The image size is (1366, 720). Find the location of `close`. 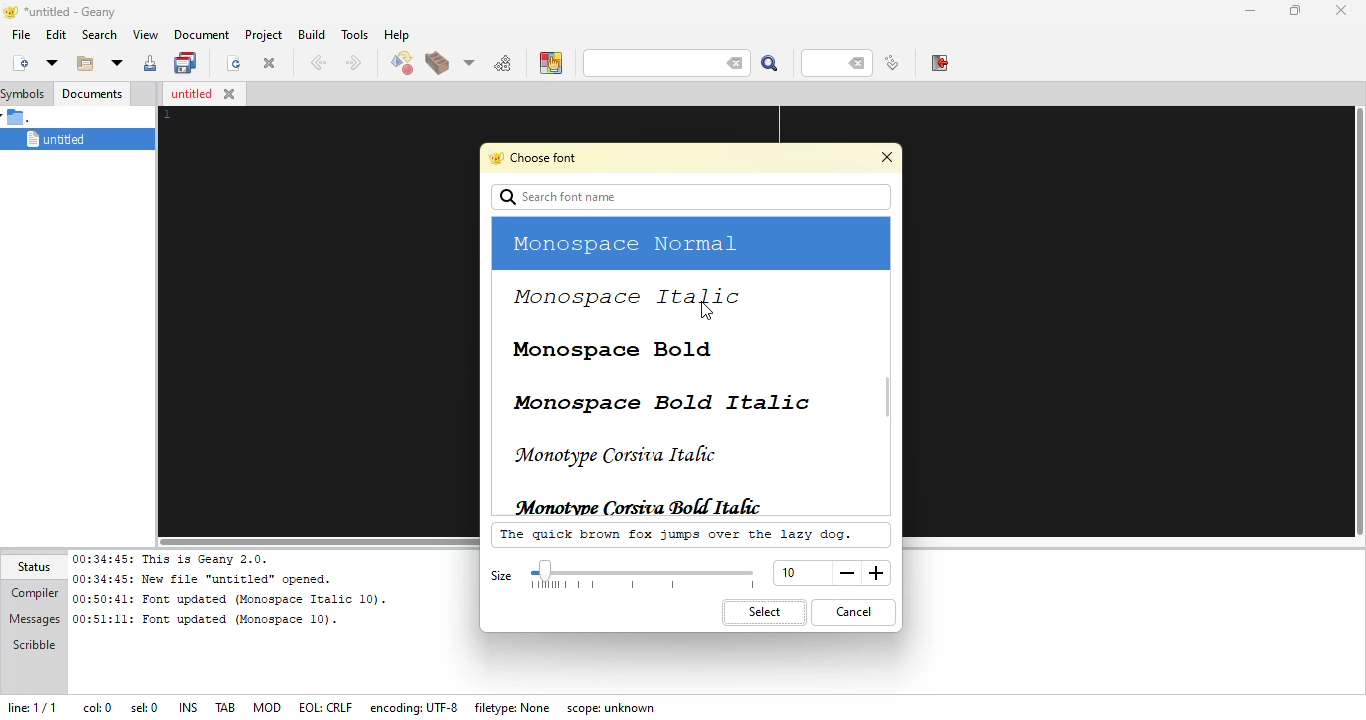

close is located at coordinates (1342, 12).